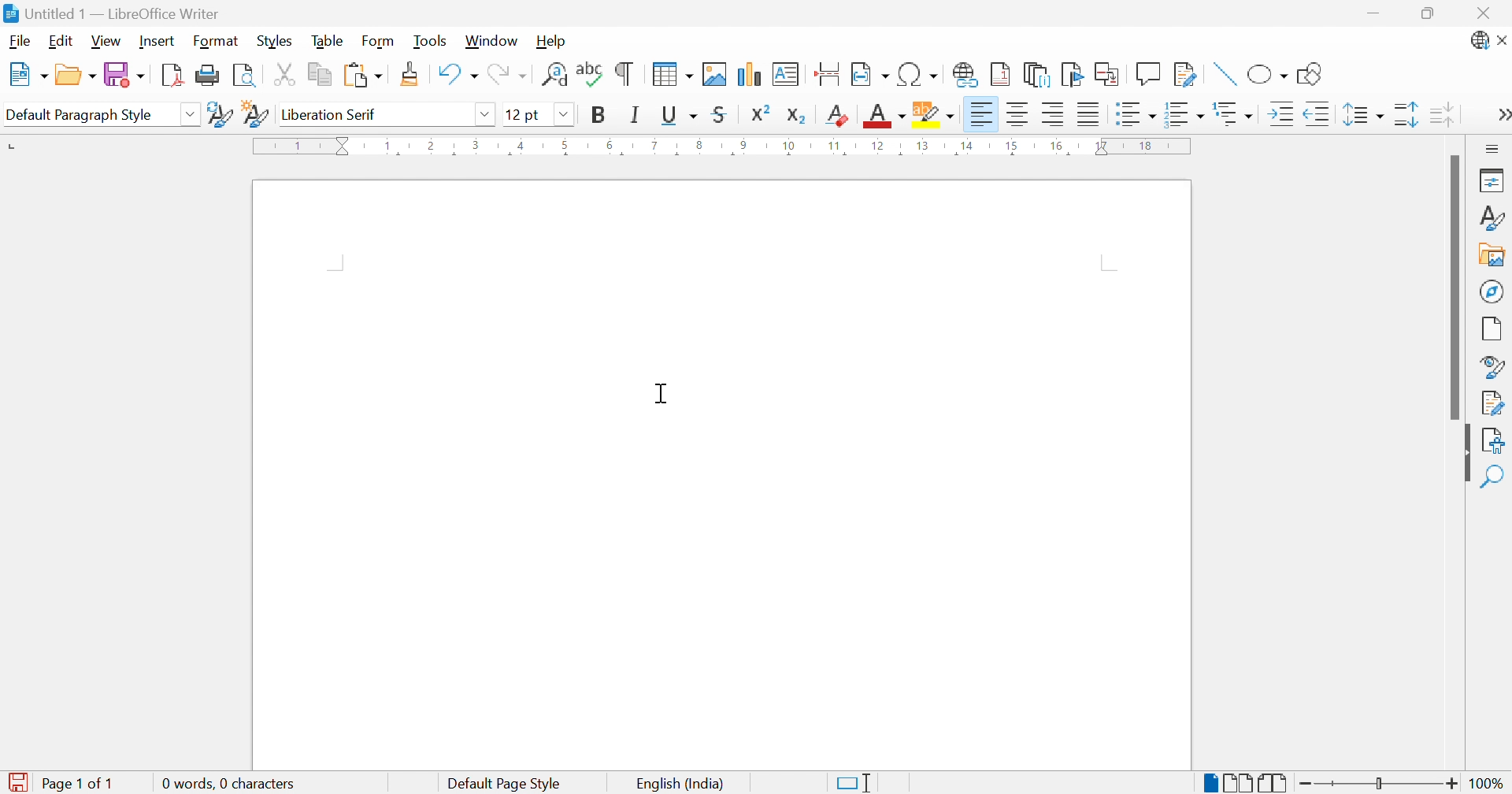  I want to click on Select outline format, so click(1236, 114).